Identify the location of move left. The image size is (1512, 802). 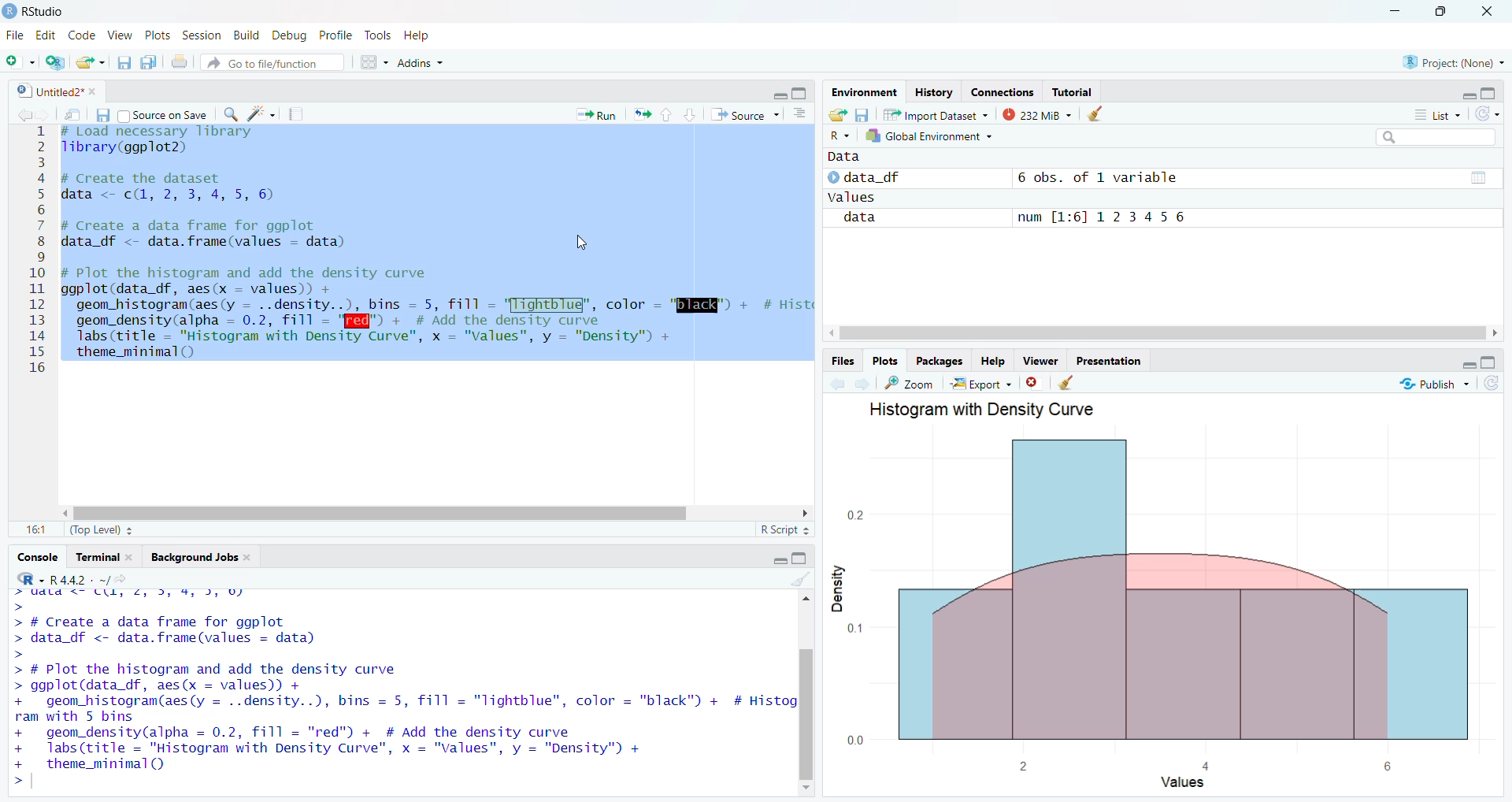
(69, 511).